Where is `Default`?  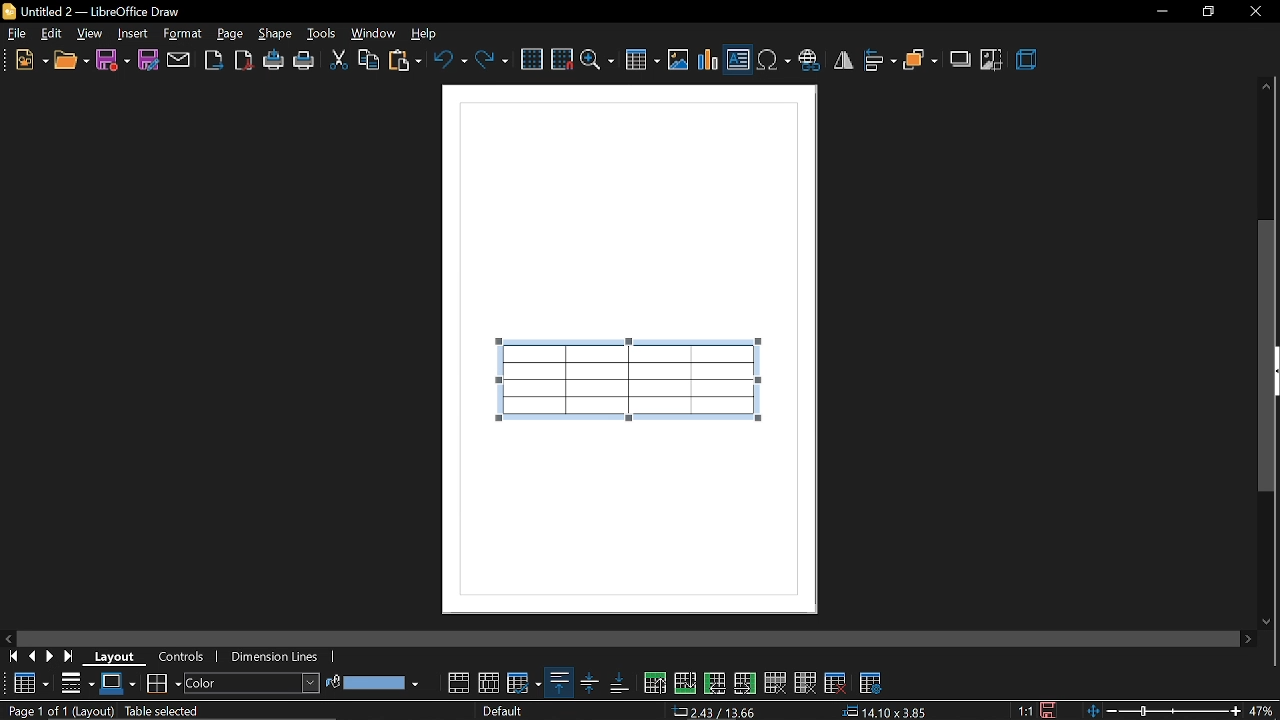 Default is located at coordinates (506, 711).